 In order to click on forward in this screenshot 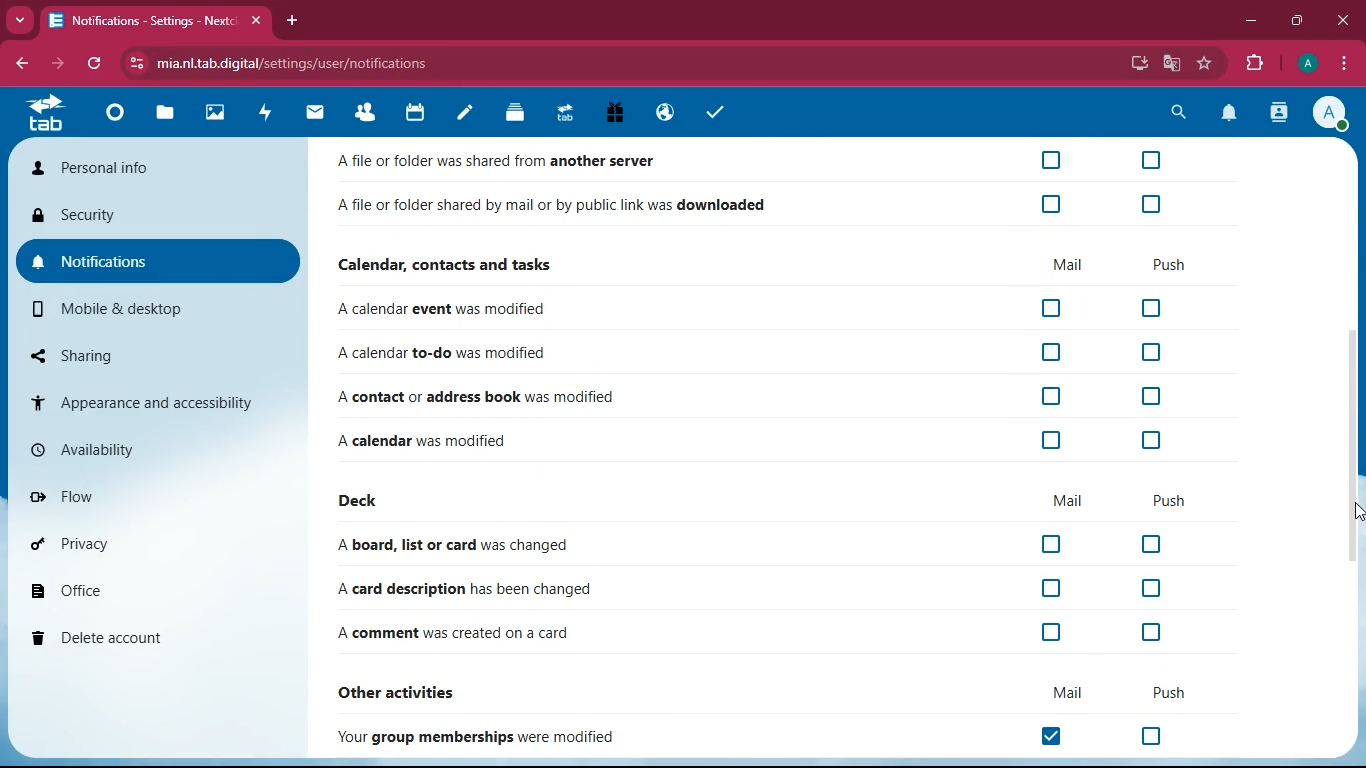, I will do `click(55, 64)`.